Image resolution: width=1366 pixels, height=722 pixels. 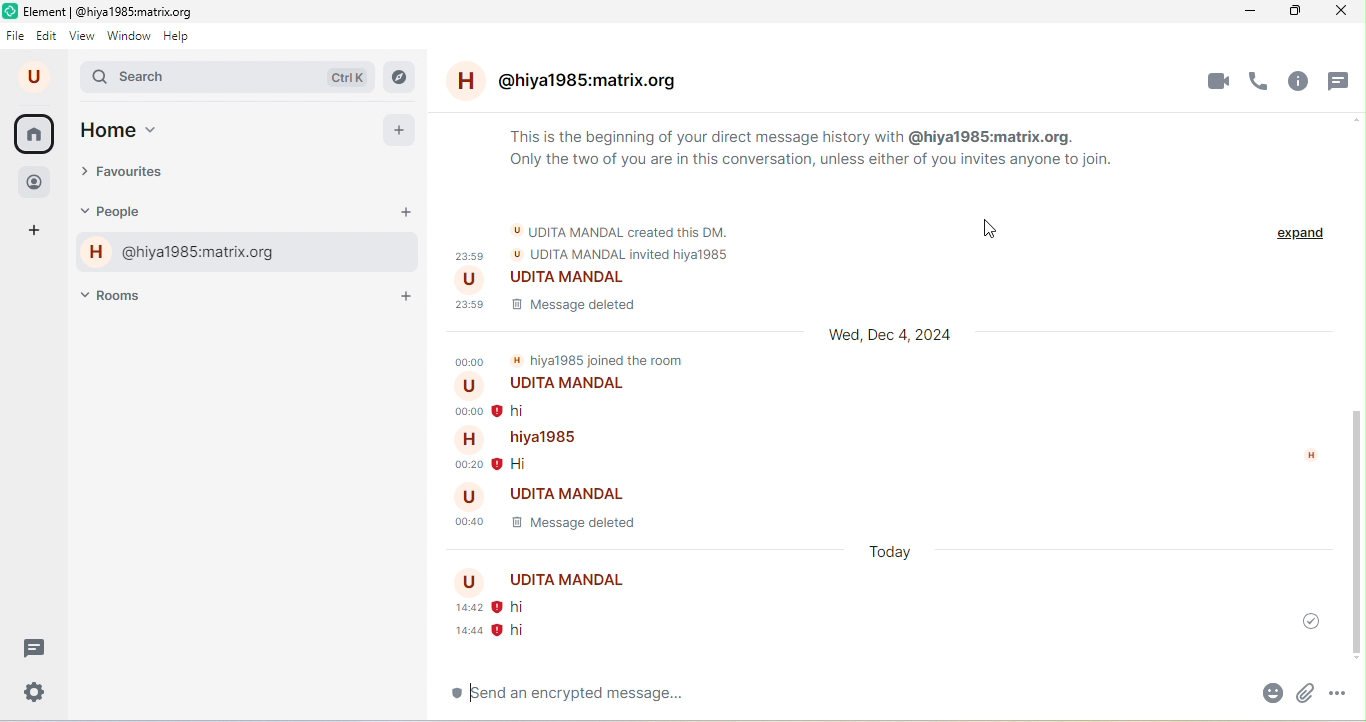 I want to click on rooms, so click(x=121, y=294).